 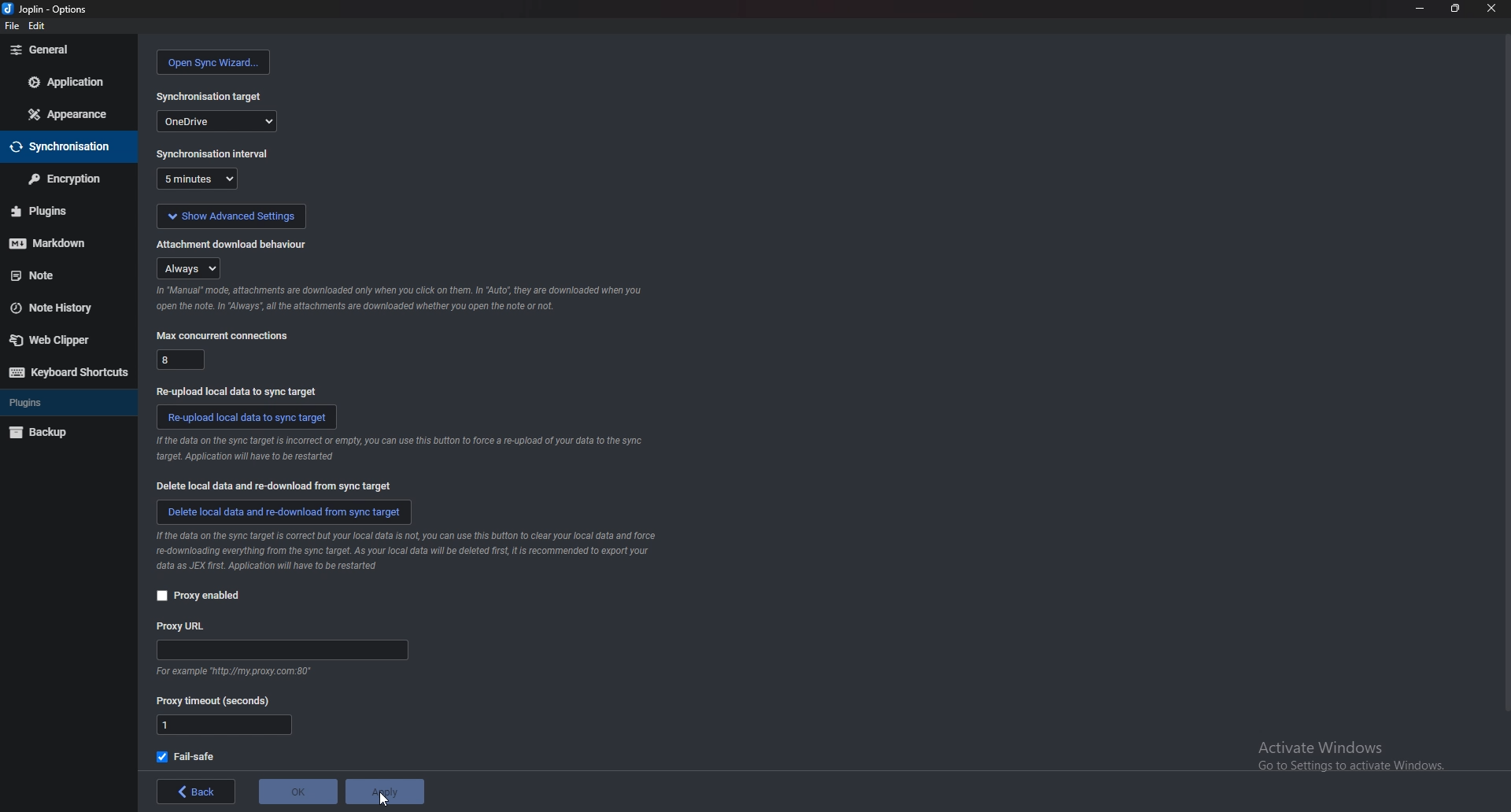 What do you see at coordinates (1491, 7) in the screenshot?
I see `close` at bounding box center [1491, 7].